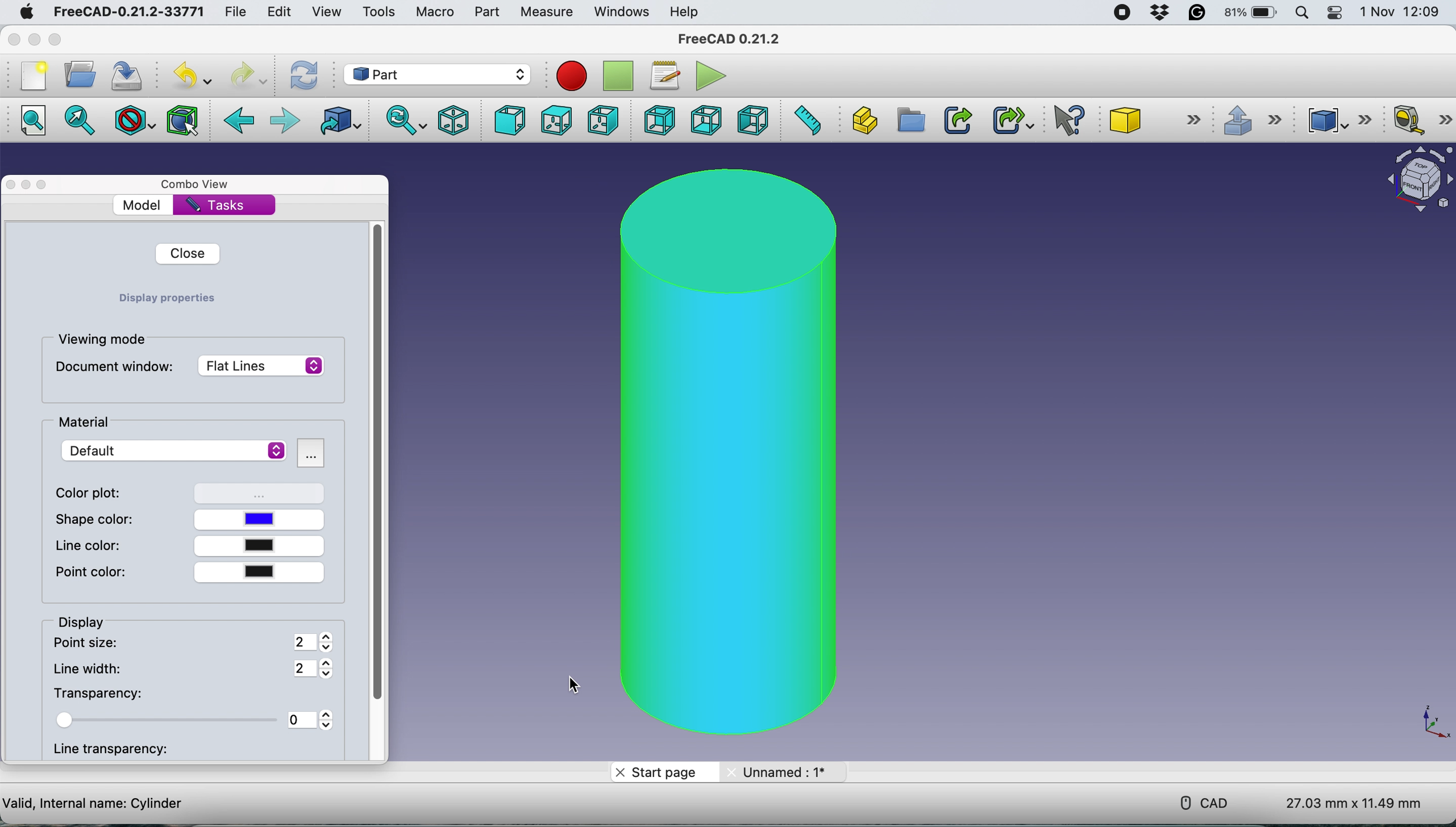 This screenshot has height=827, width=1456. Describe the element at coordinates (252, 75) in the screenshot. I see `redo` at that location.